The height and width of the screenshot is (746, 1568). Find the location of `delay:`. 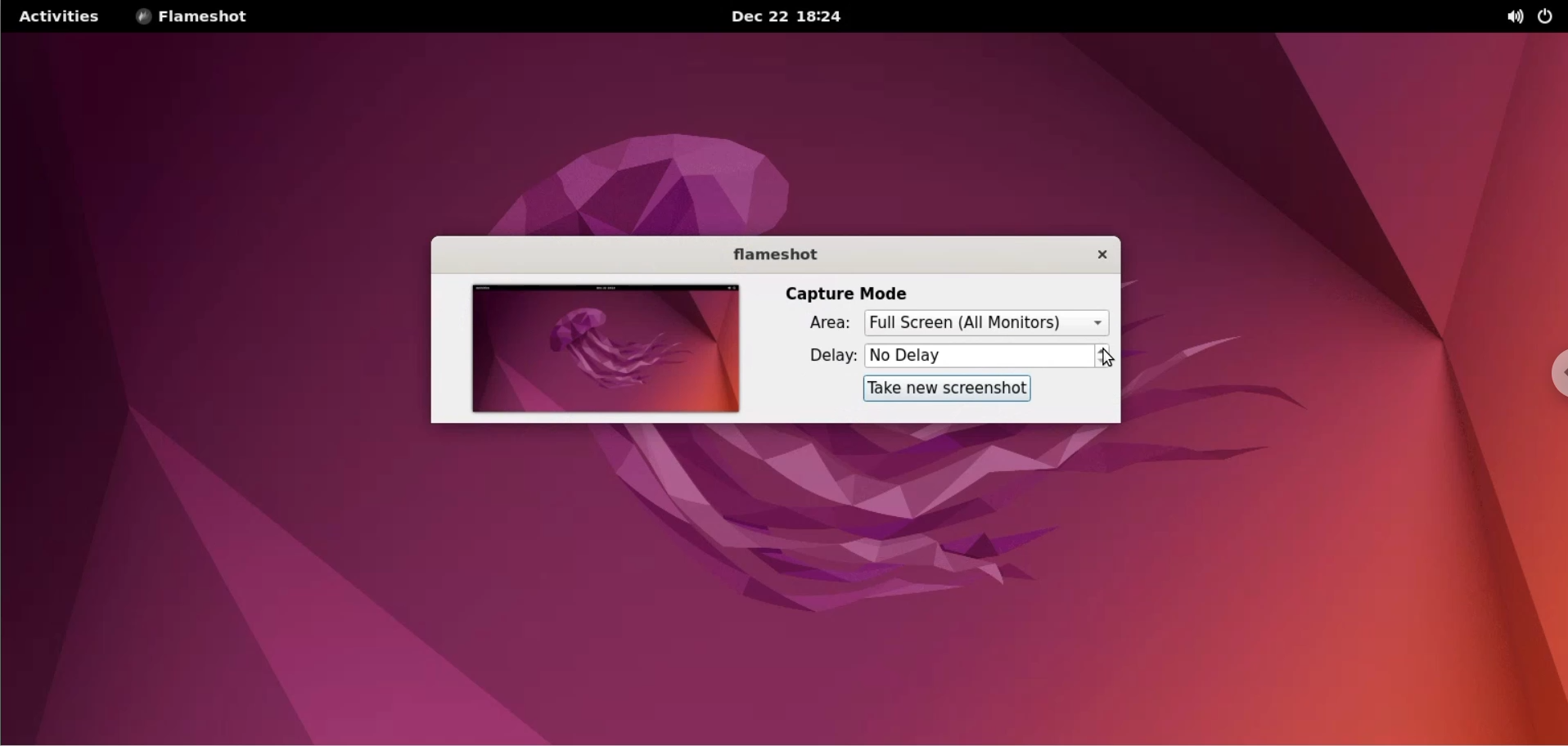

delay: is located at coordinates (821, 355).